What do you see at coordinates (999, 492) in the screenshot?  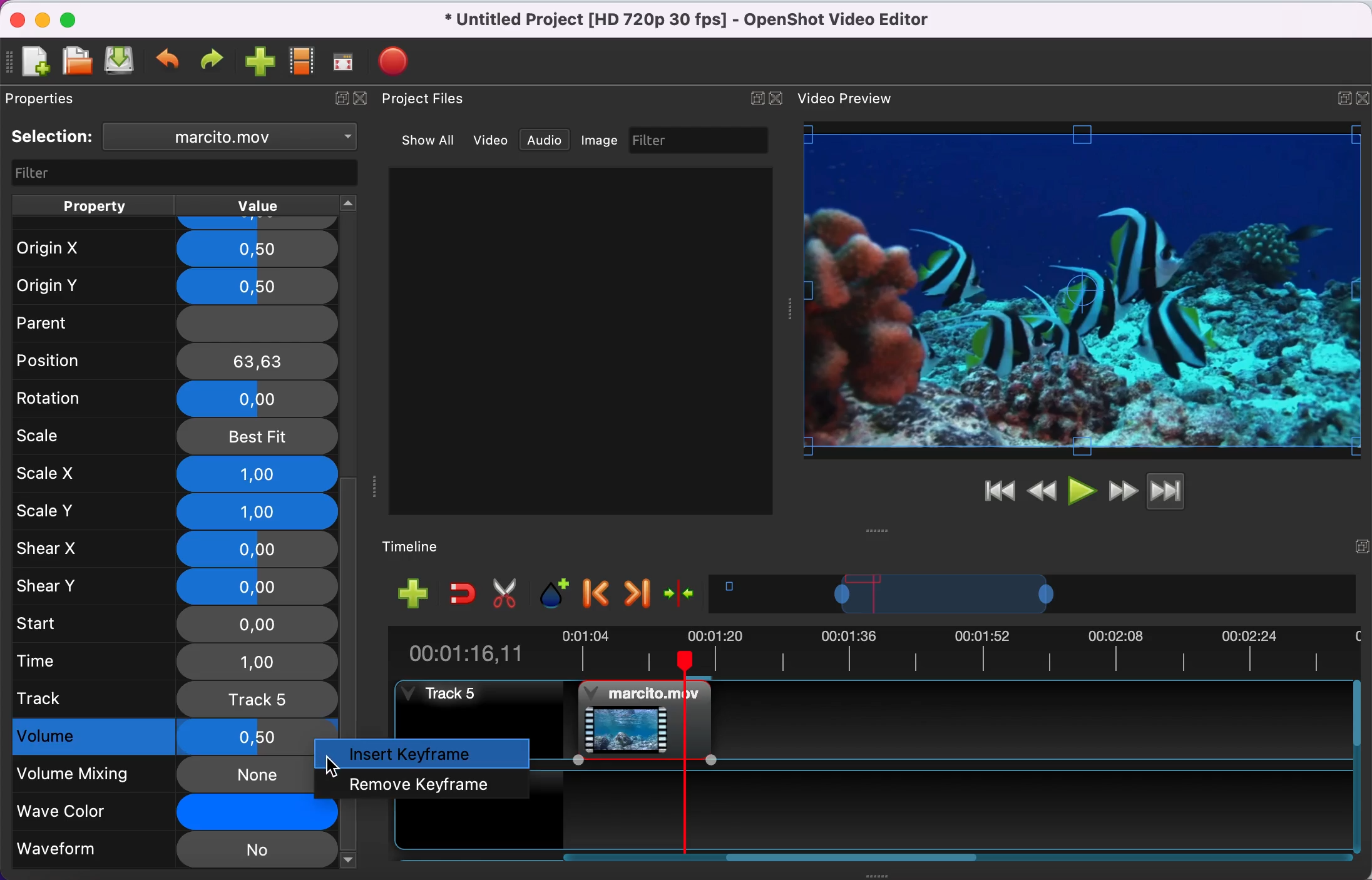 I see `jump to start` at bounding box center [999, 492].